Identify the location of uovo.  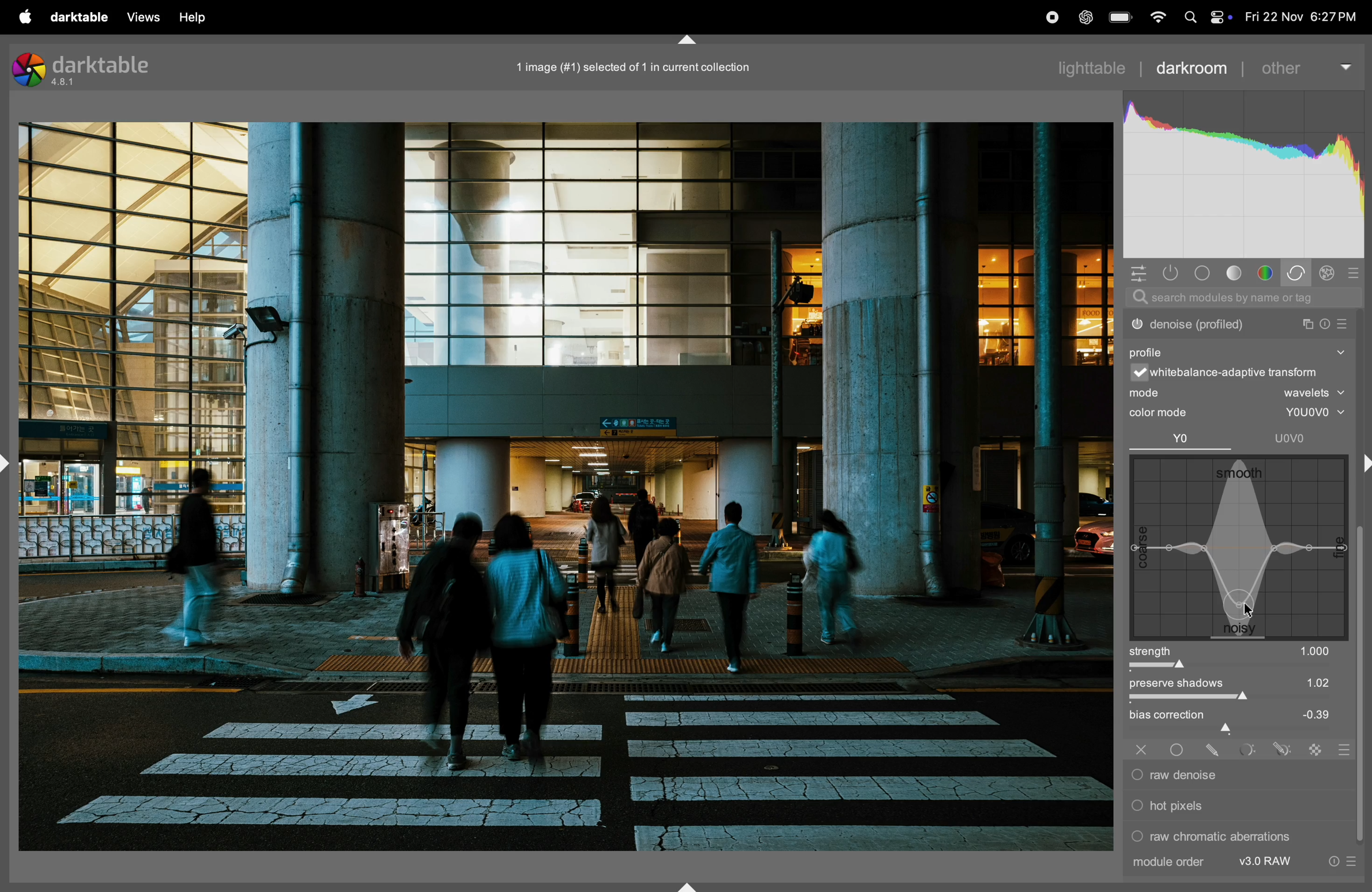
(1282, 440).